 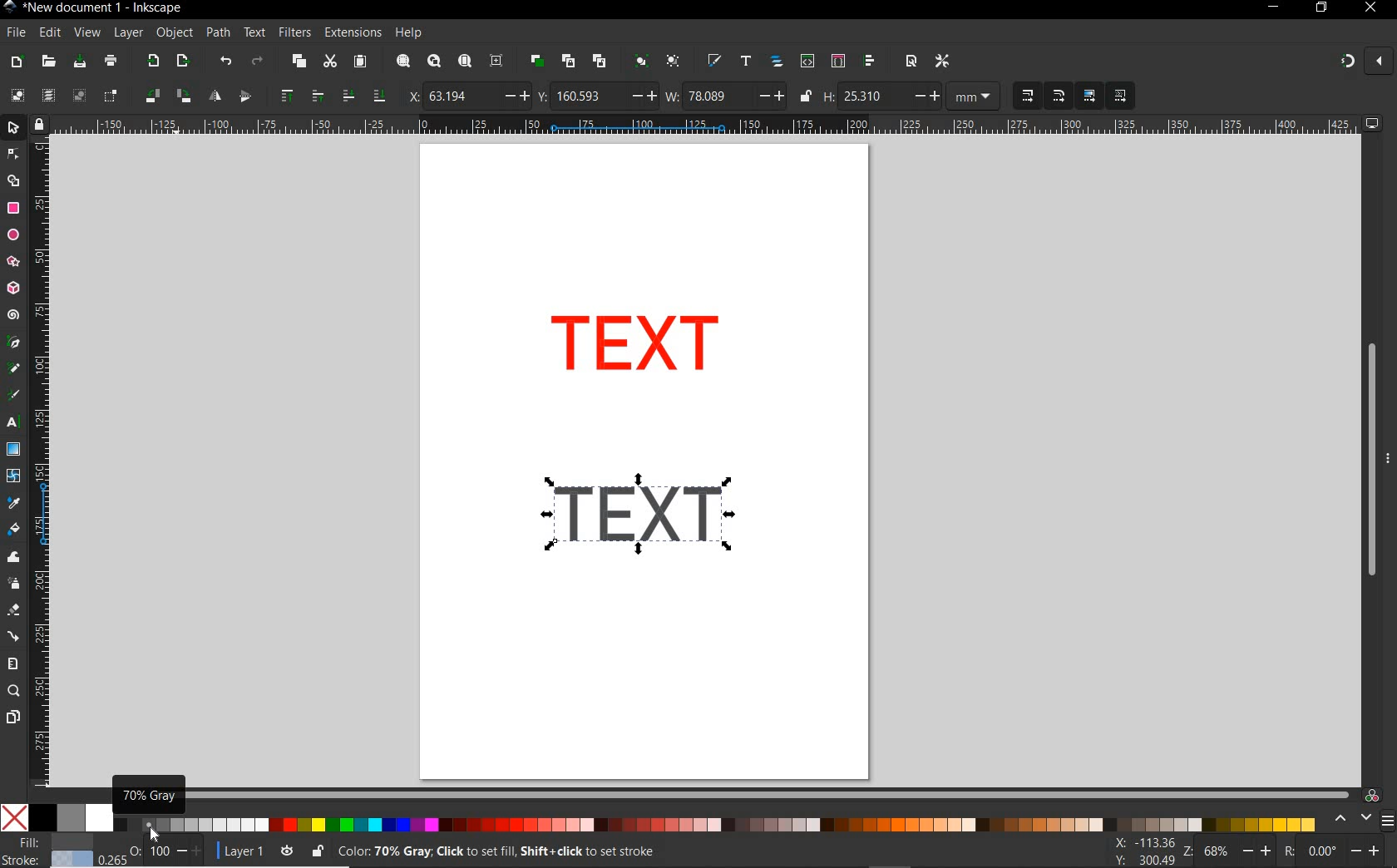 I want to click on toggle selection box to select all touched objects, so click(x=111, y=96).